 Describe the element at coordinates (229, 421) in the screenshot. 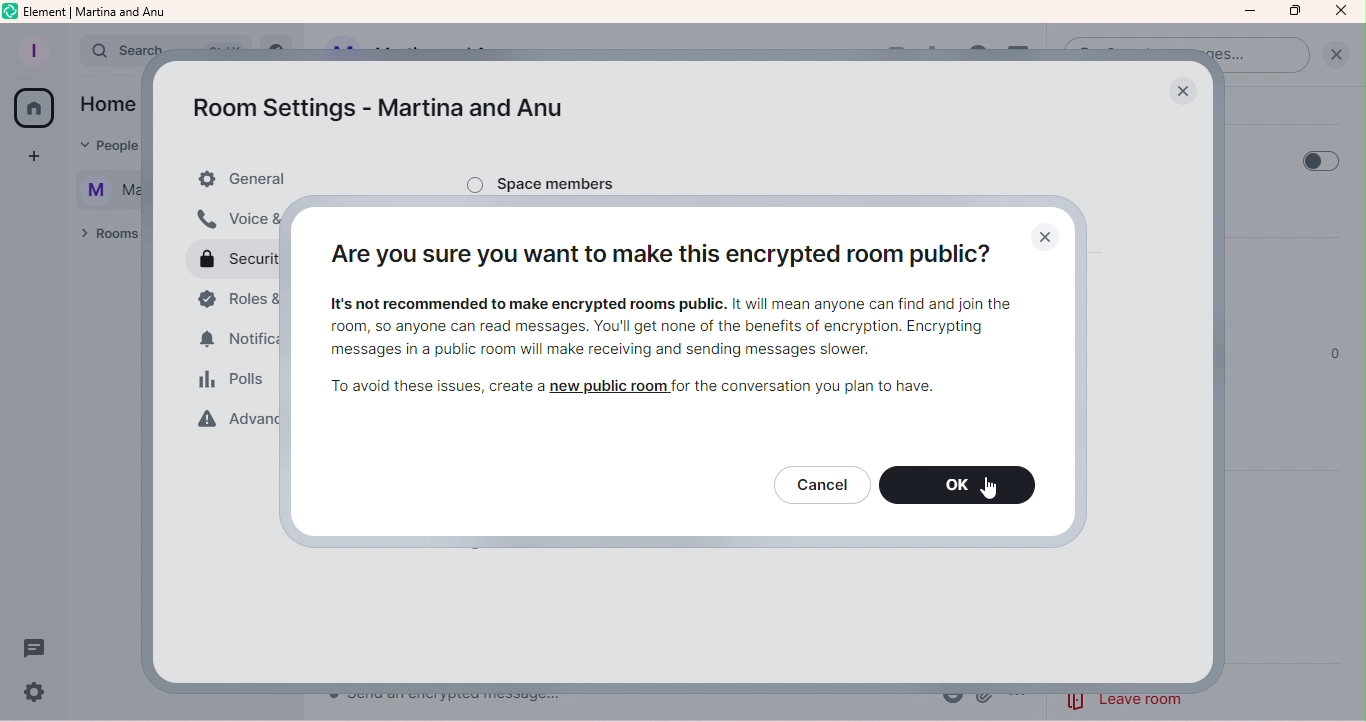

I see `Advanced` at that location.